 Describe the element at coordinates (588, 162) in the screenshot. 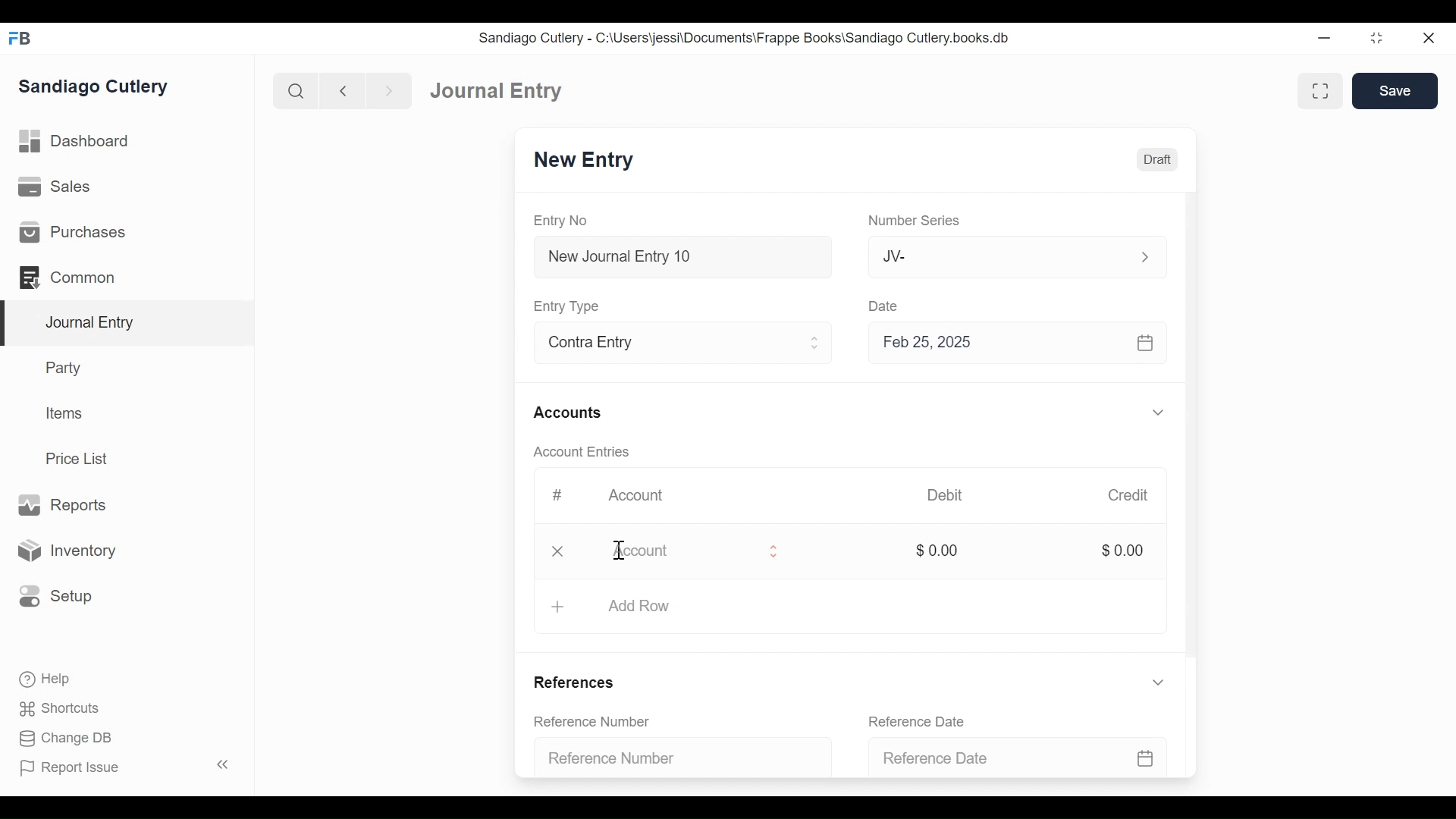

I see `New Entry` at that location.